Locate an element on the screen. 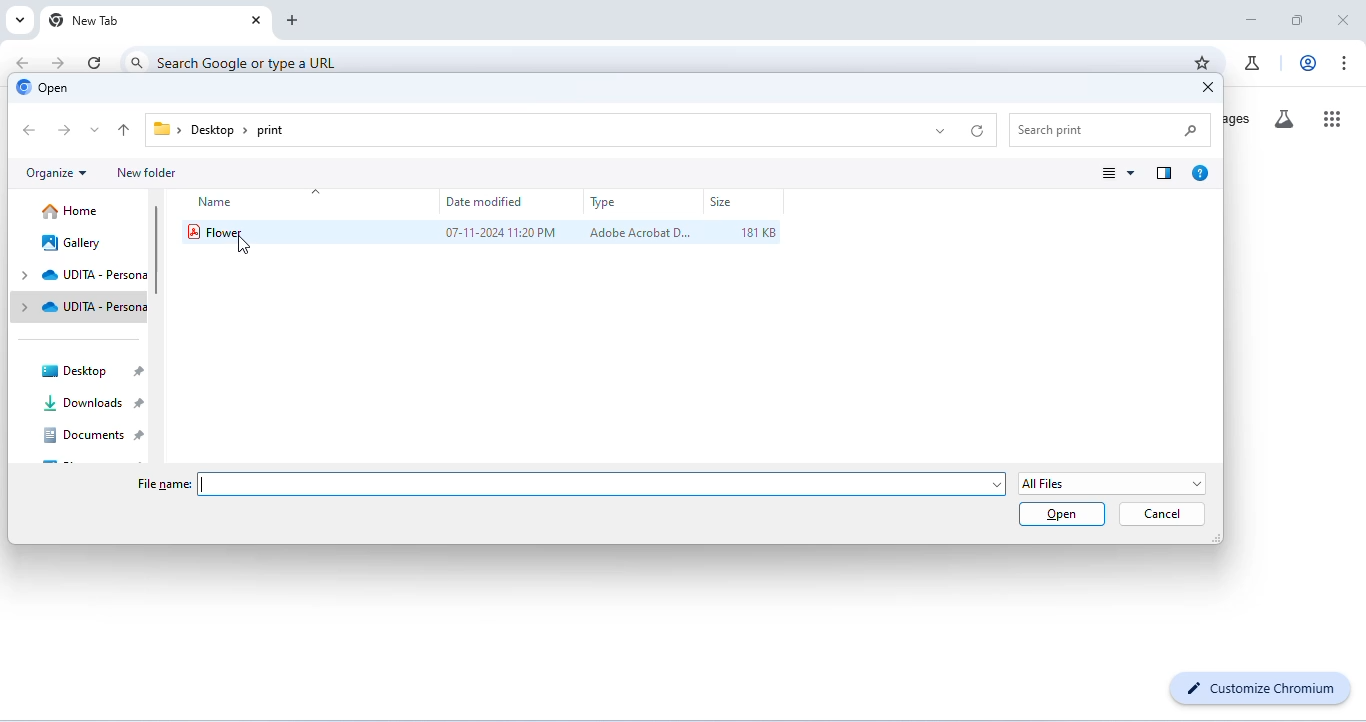 This screenshot has width=1366, height=722. gallery is located at coordinates (72, 244).